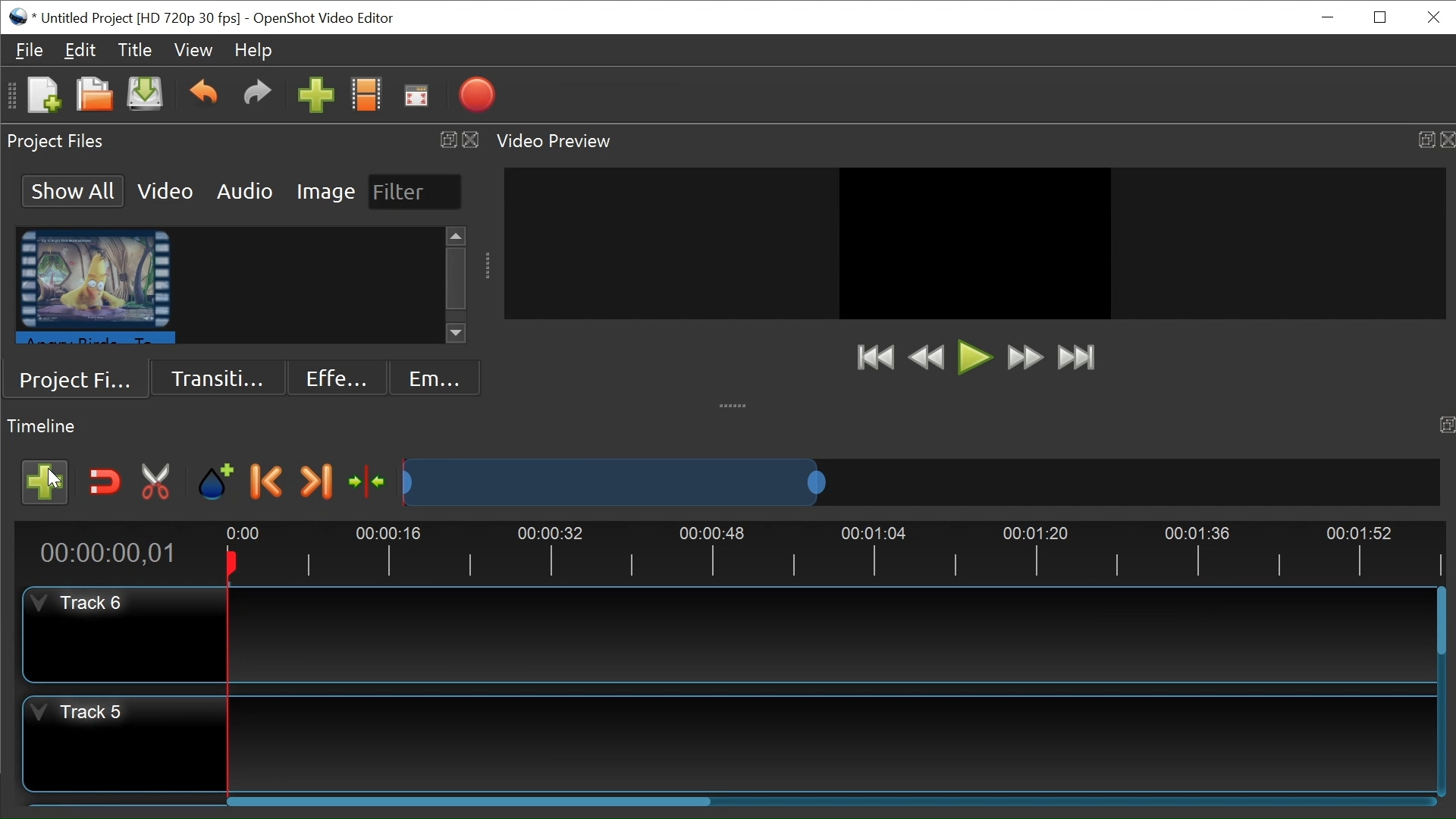 The width and height of the screenshot is (1456, 819). What do you see at coordinates (74, 190) in the screenshot?
I see `Show All` at bounding box center [74, 190].